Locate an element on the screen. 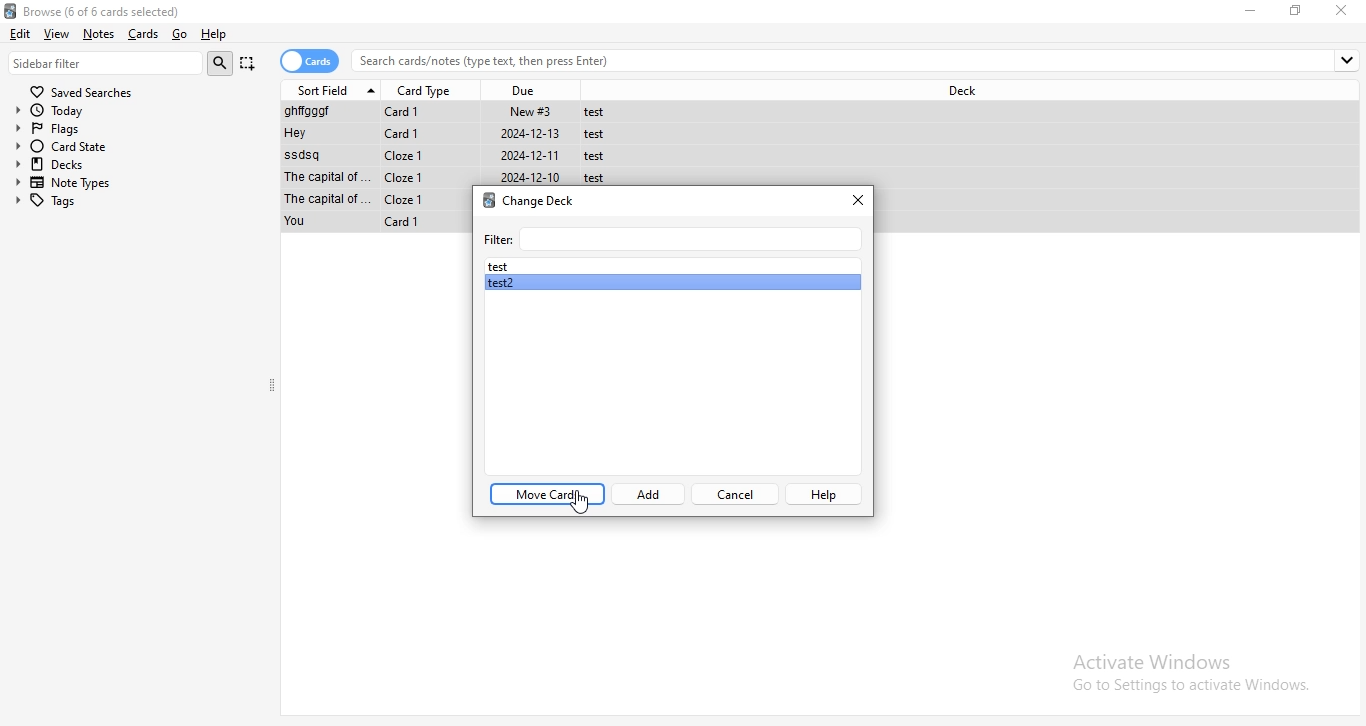 The width and height of the screenshot is (1366, 726). tags is located at coordinates (135, 202).